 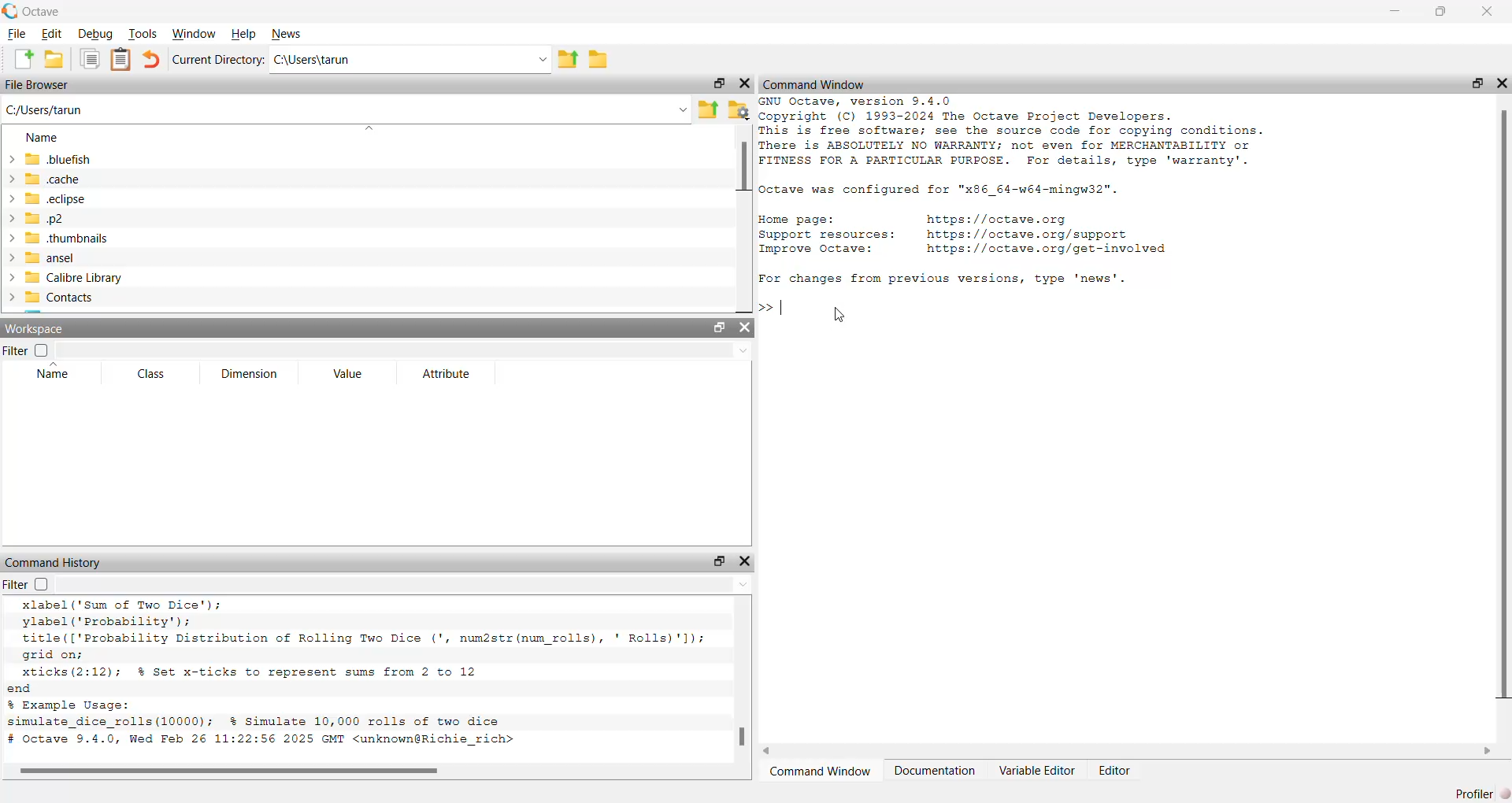 What do you see at coordinates (42, 179) in the screenshot?
I see `.cache` at bounding box center [42, 179].